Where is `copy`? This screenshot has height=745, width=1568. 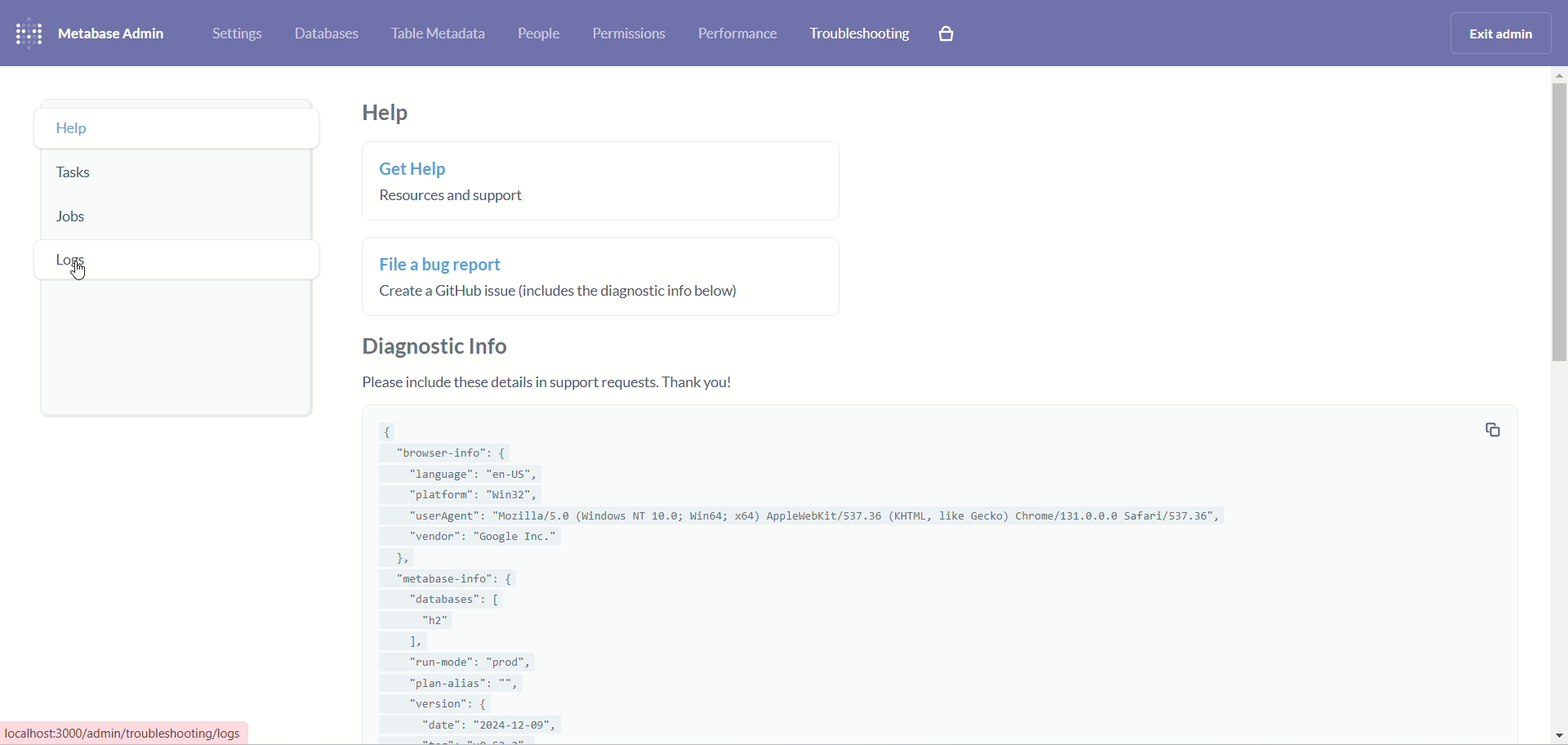
copy is located at coordinates (1492, 430).